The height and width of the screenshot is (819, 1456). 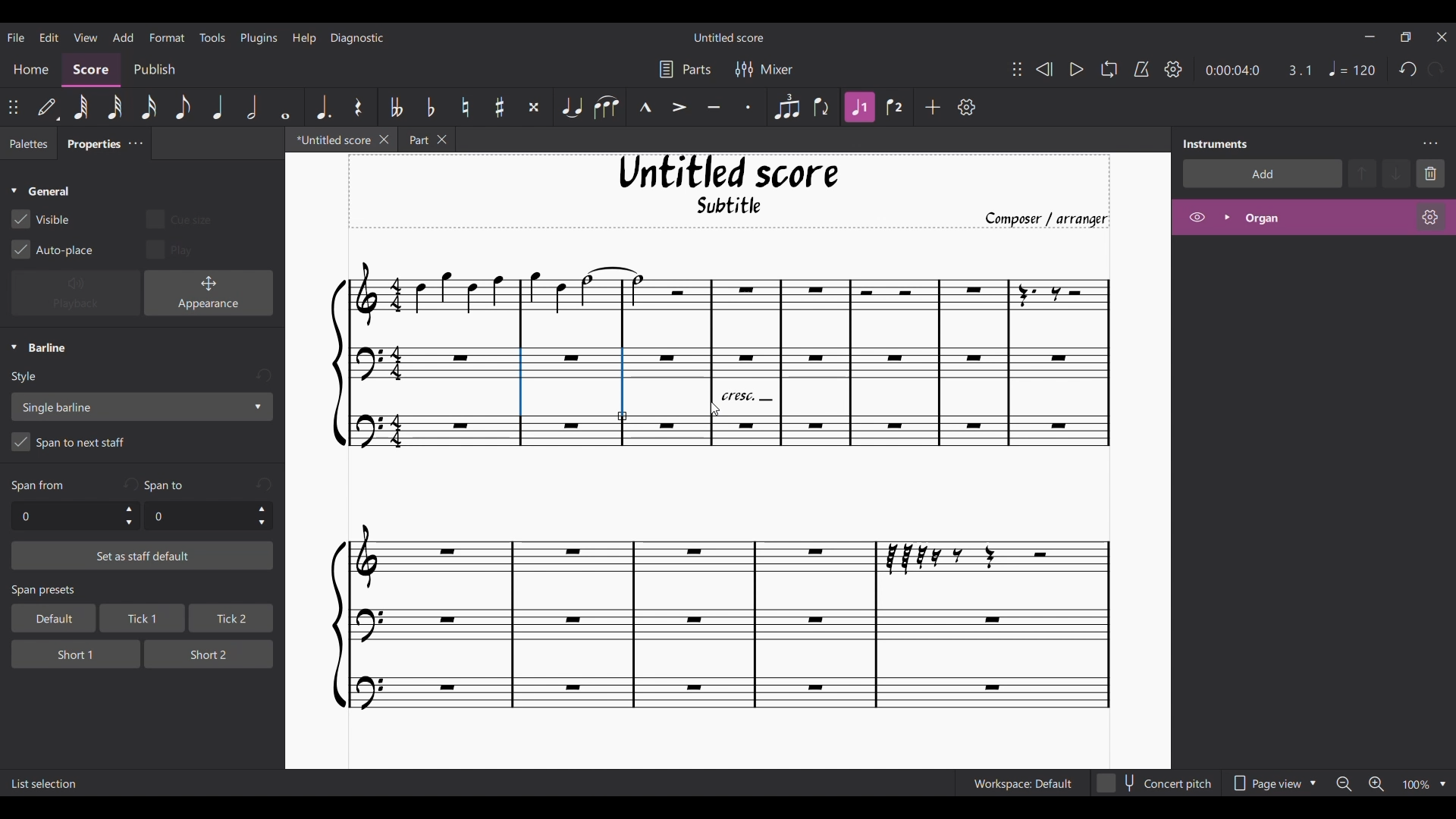 What do you see at coordinates (150, 107) in the screenshot?
I see `16th note` at bounding box center [150, 107].